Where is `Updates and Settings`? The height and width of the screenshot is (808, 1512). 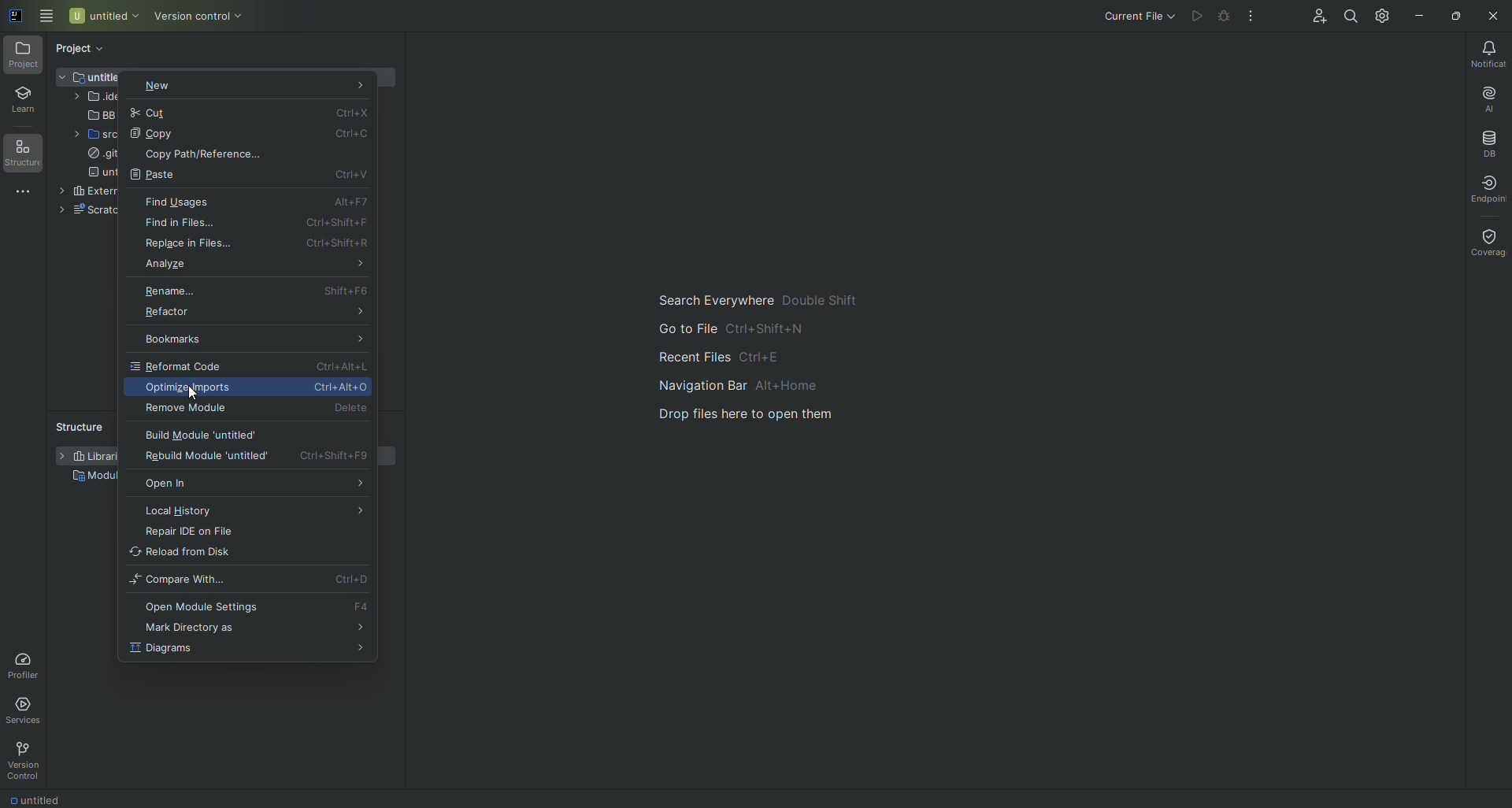 Updates and Settings is located at coordinates (1381, 17).